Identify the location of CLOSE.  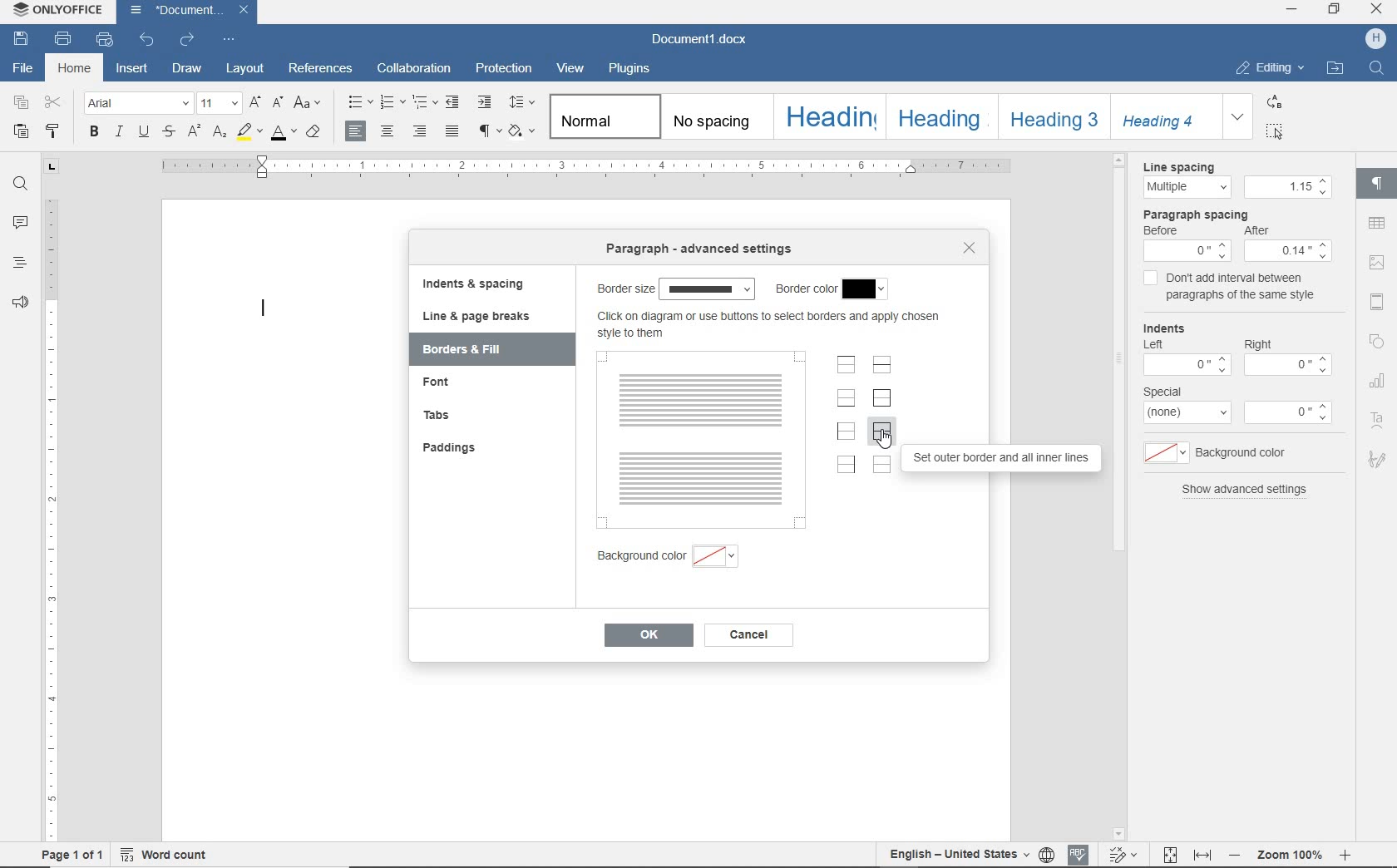
(1375, 9).